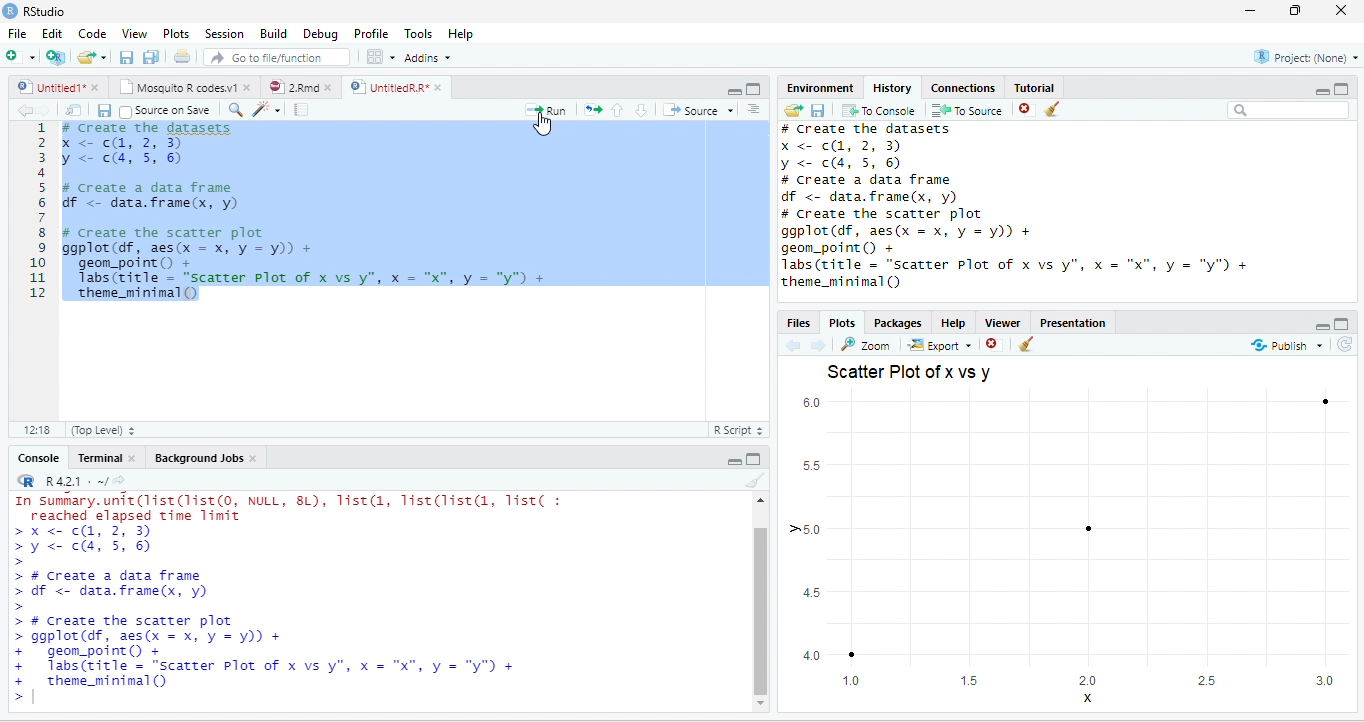 This screenshot has height=722, width=1364. What do you see at coordinates (462, 33) in the screenshot?
I see `Help` at bounding box center [462, 33].